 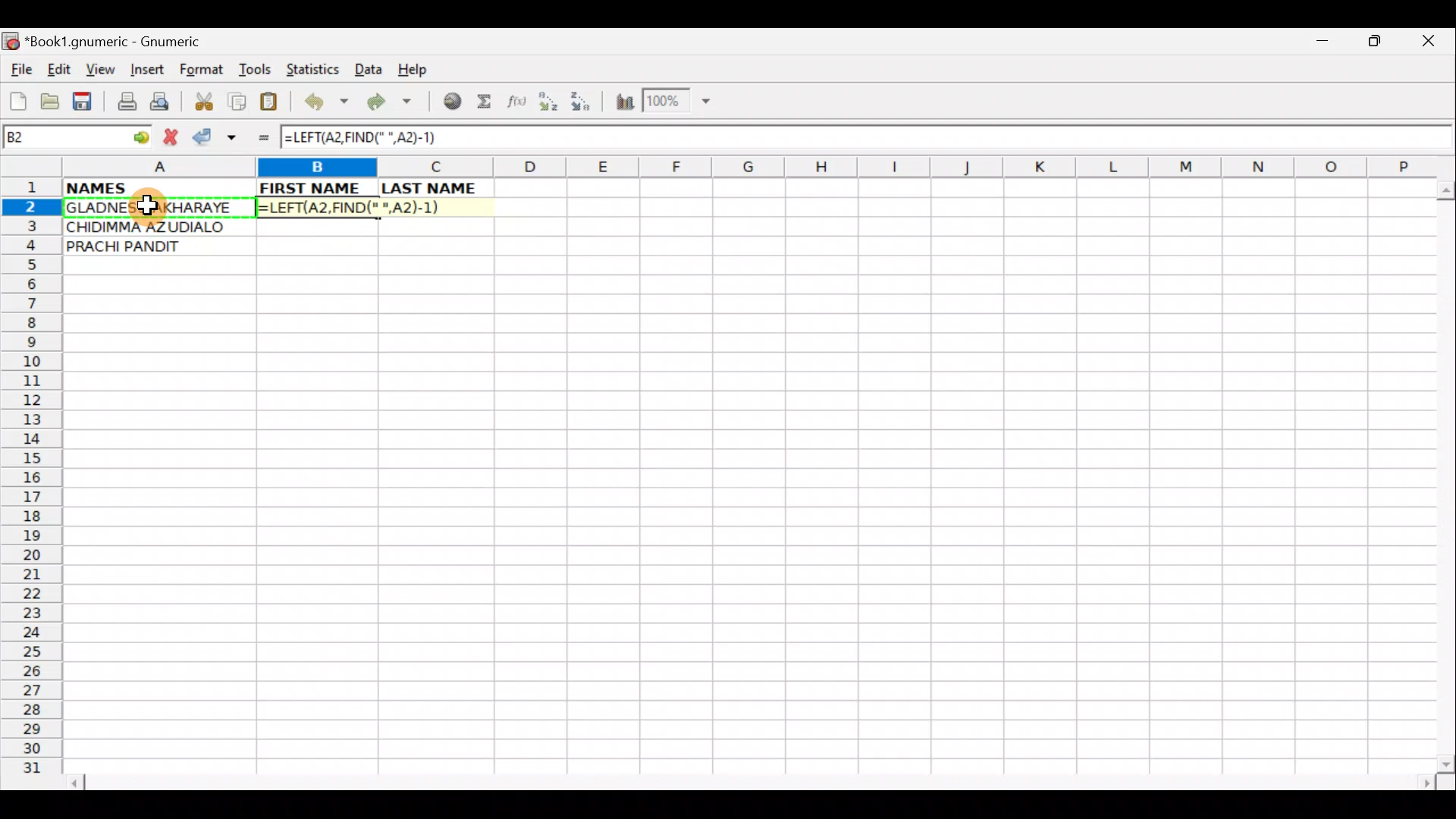 I want to click on Maximize, so click(x=1377, y=44).